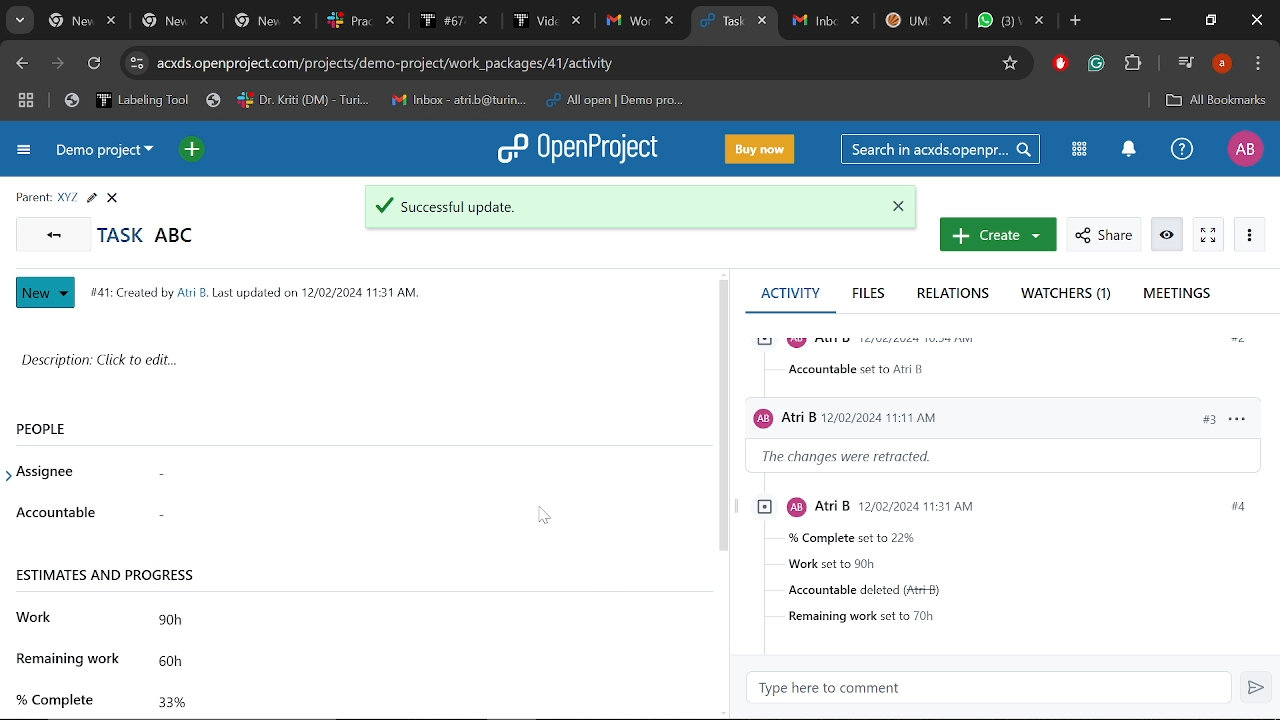 The width and height of the screenshot is (1280, 720). I want to click on accountable, so click(55, 512).